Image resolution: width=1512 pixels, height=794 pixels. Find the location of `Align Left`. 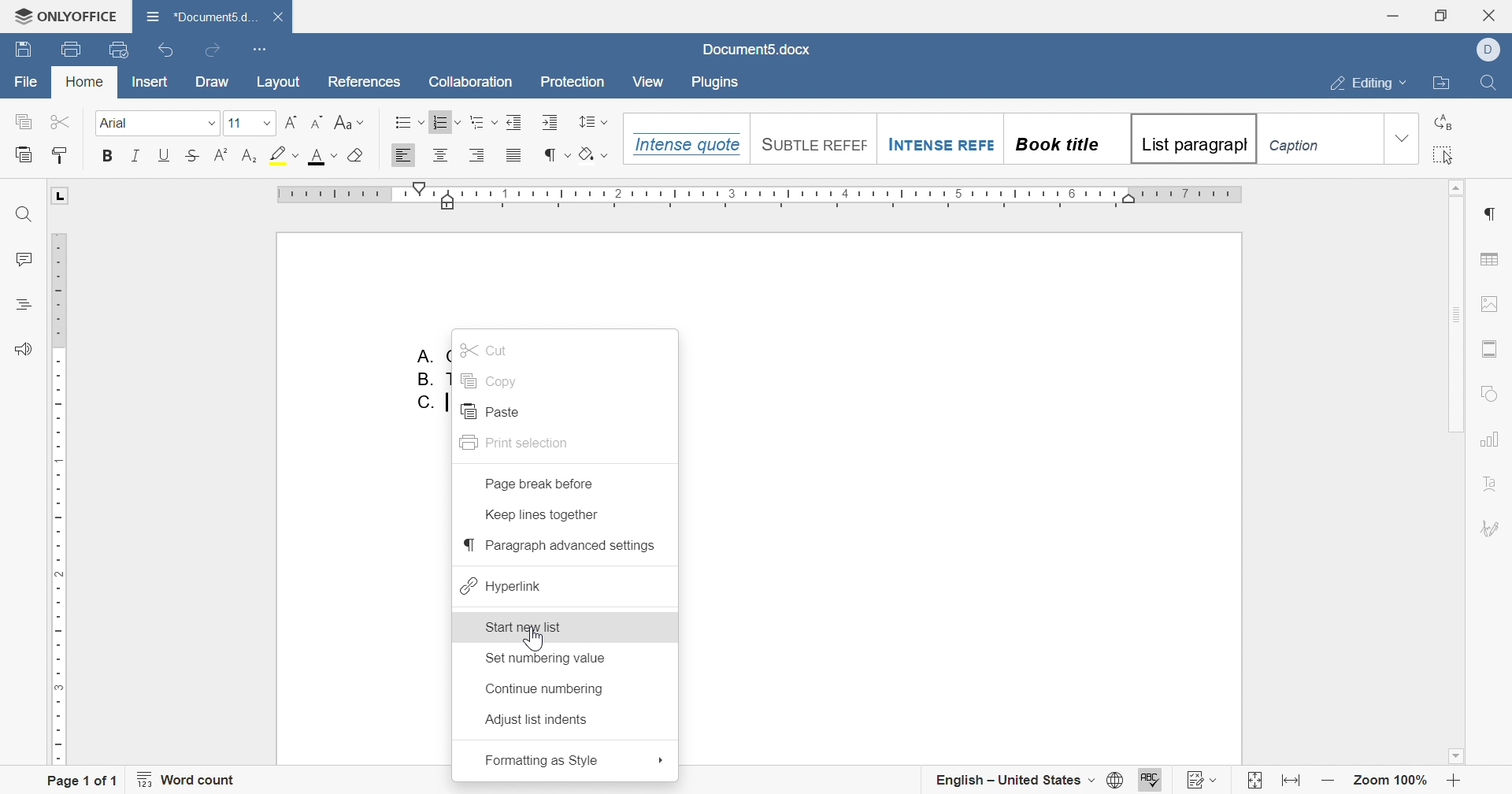

Align Left is located at coordinates (404, 155).